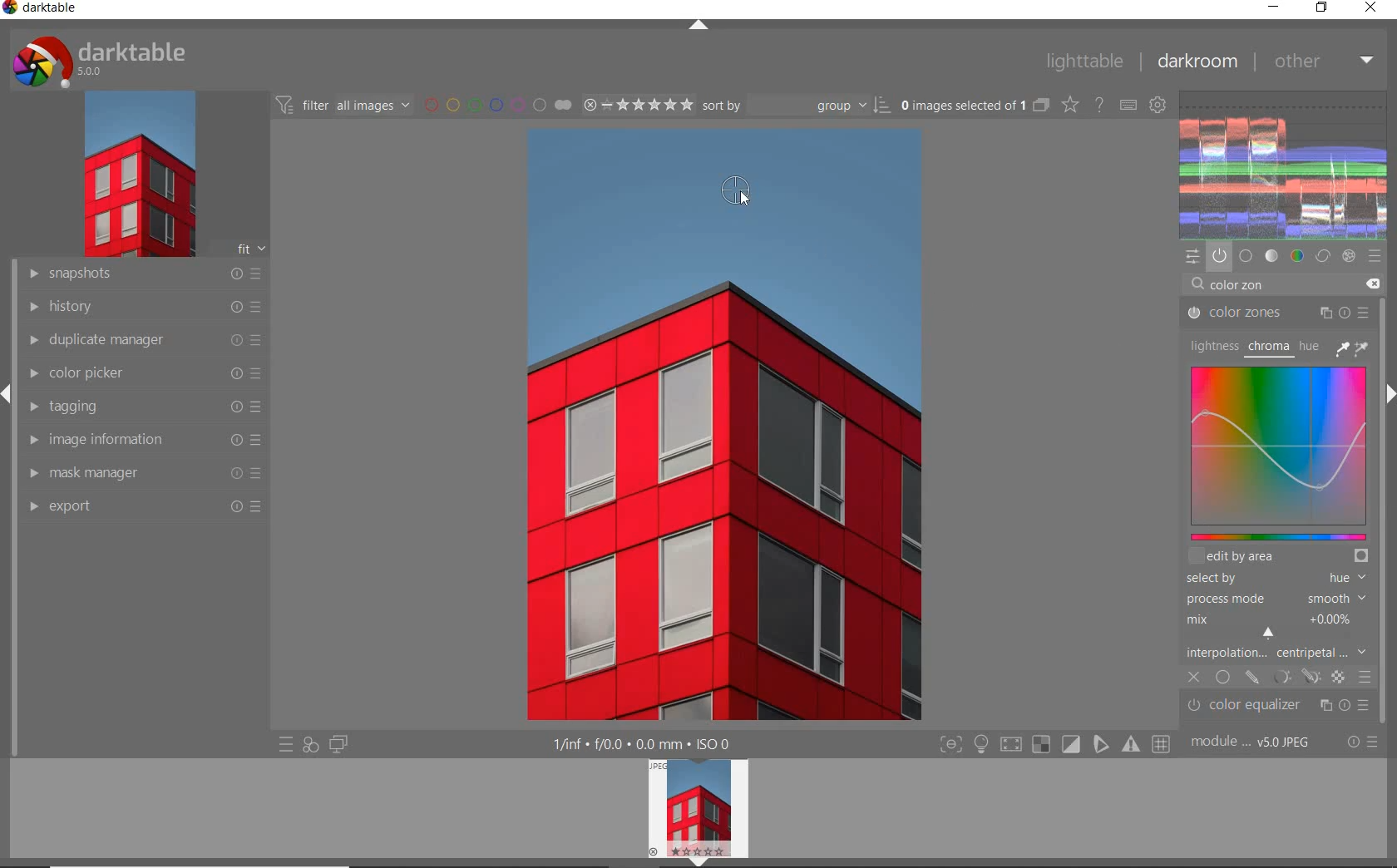 The image size is (1397, 868). What do you see at coordinates (1278, 557) in the screenshot?
I see `EDIT BY AREA` at bounding box center [1278, 557].